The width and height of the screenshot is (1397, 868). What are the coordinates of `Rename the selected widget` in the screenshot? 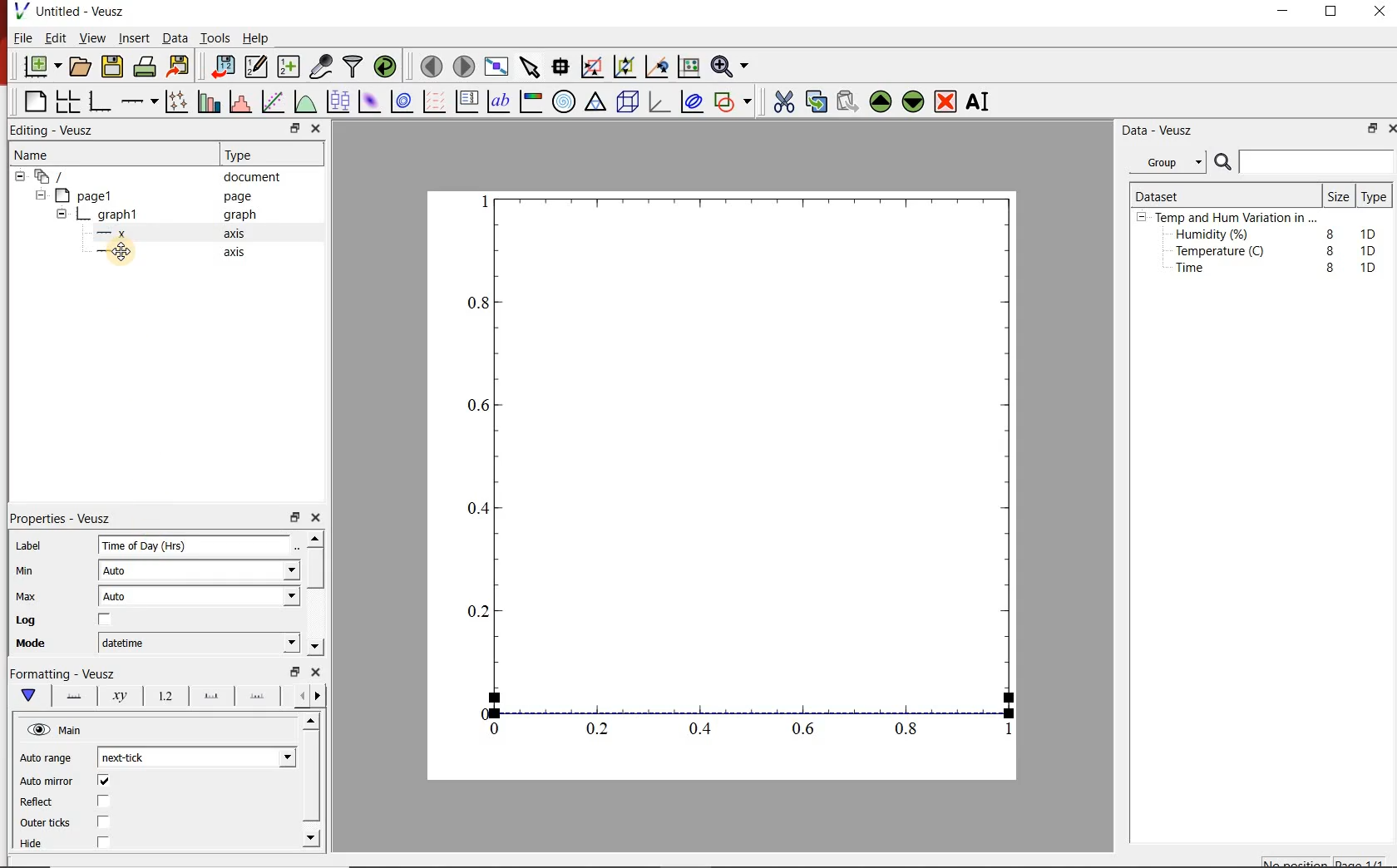 It's located at (981, 101).